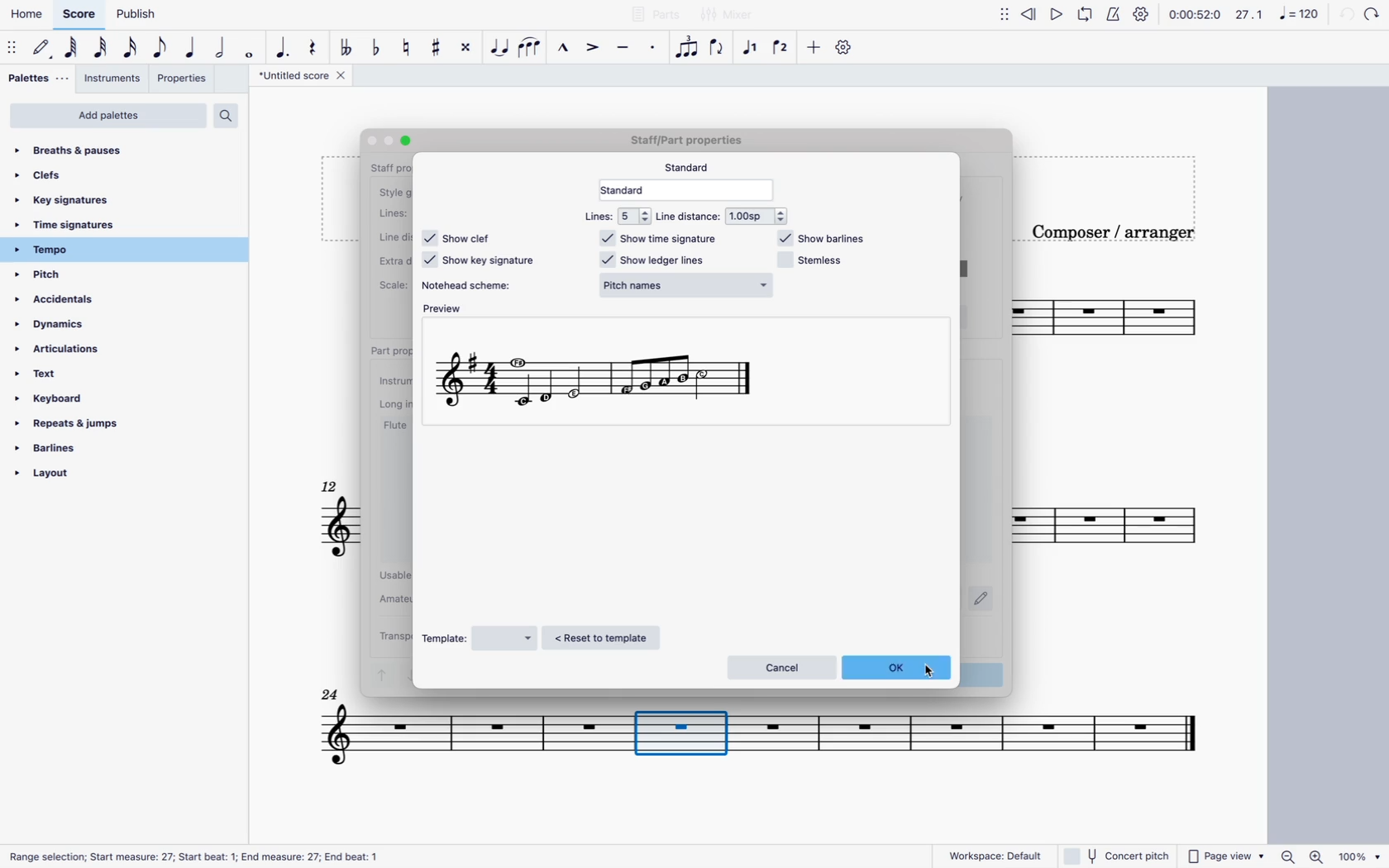 The height and width of the screenshot is (868, 1389). What do you see at coordinates (783, 43) in the screenshot?
I see `voice 2` at bounding box center [783, 43].